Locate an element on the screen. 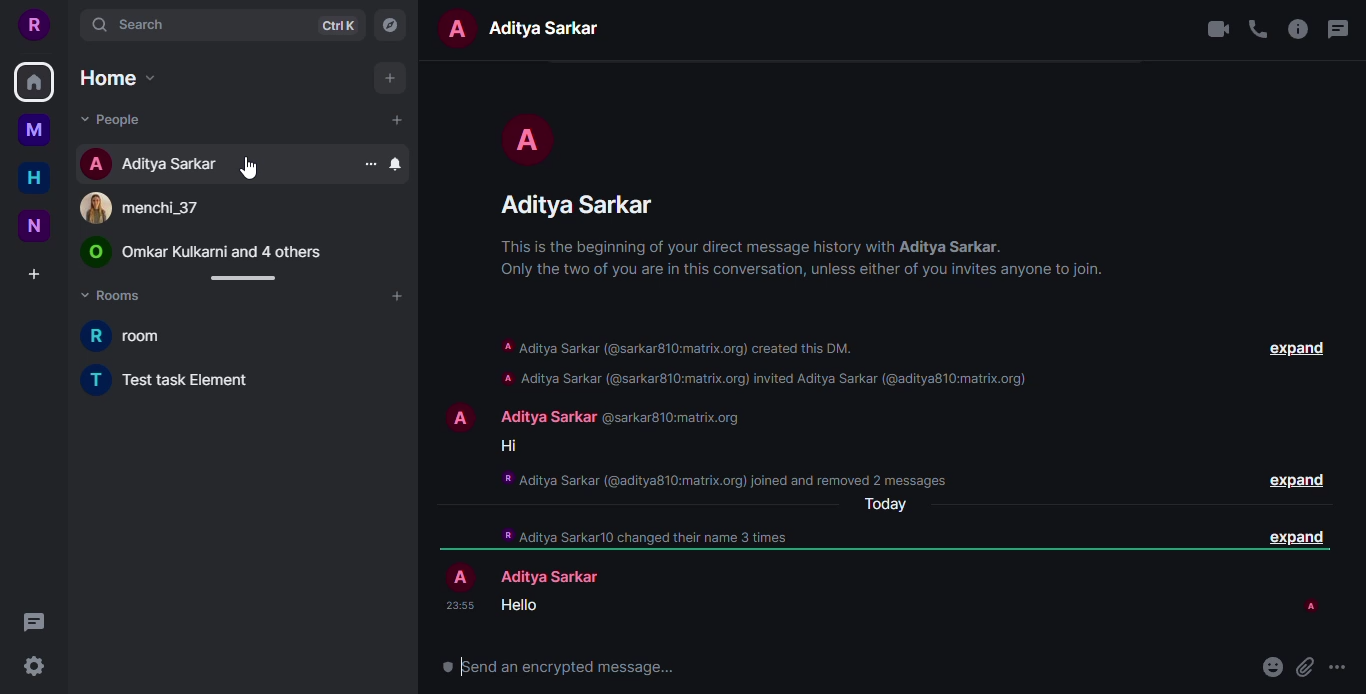 The height and width of the screenshot is (694, 1366). aditya sarkar @sarkar810:matrix.org is located at coordinates (616, 419).